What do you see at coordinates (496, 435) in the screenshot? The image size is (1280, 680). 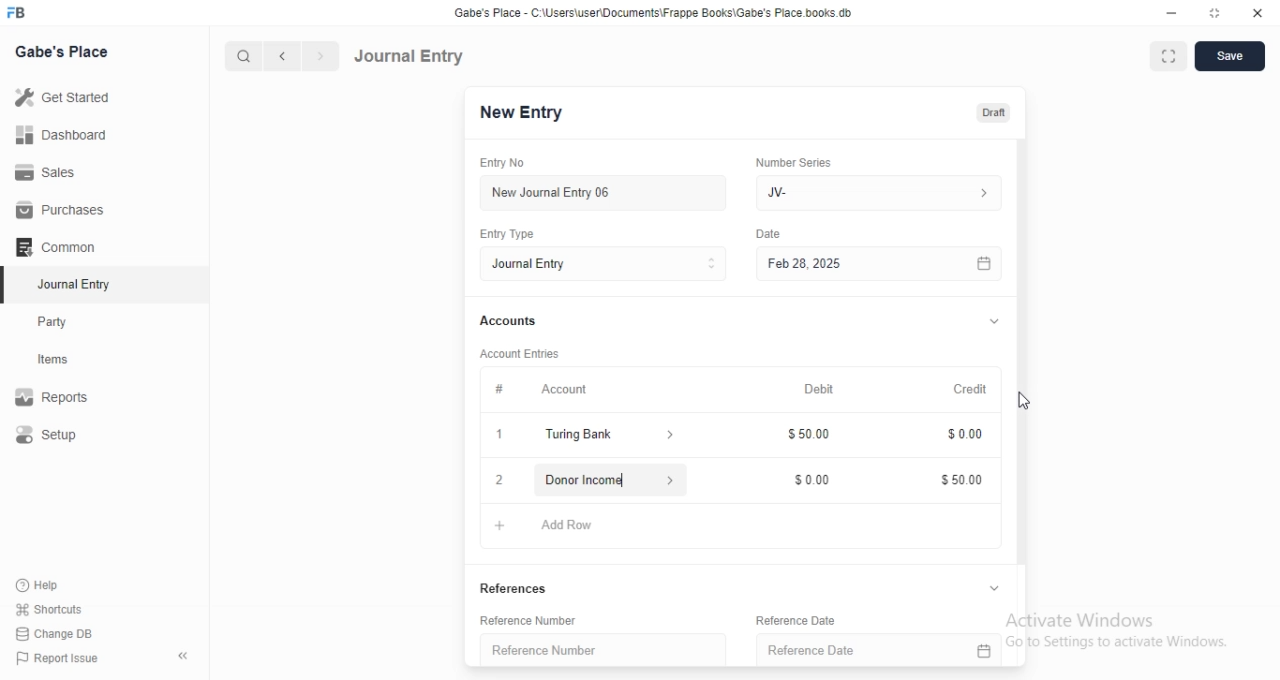 I see `1` at bounding box center [496, 435].